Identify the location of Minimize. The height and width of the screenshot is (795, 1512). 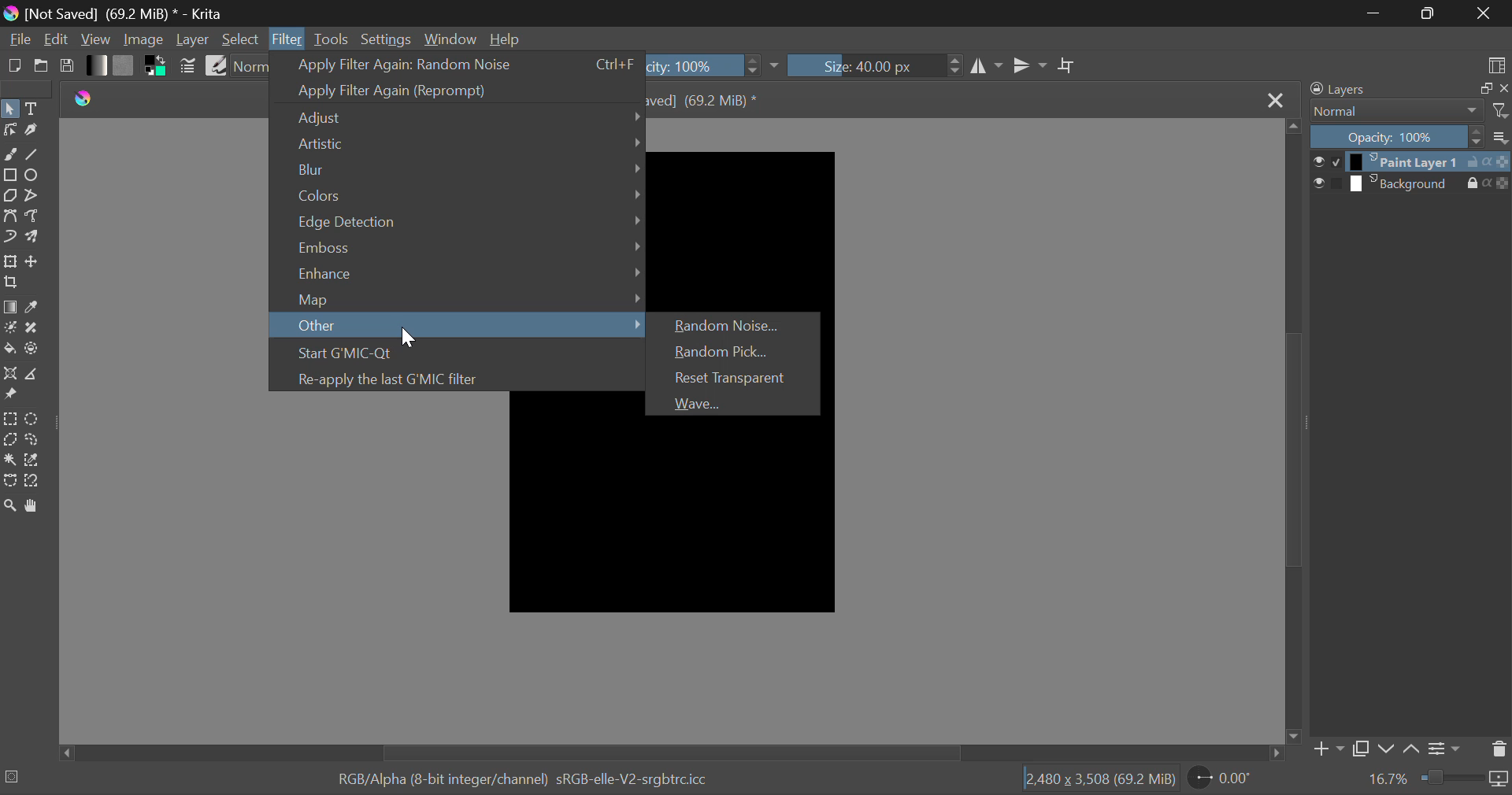
(1426, 13).